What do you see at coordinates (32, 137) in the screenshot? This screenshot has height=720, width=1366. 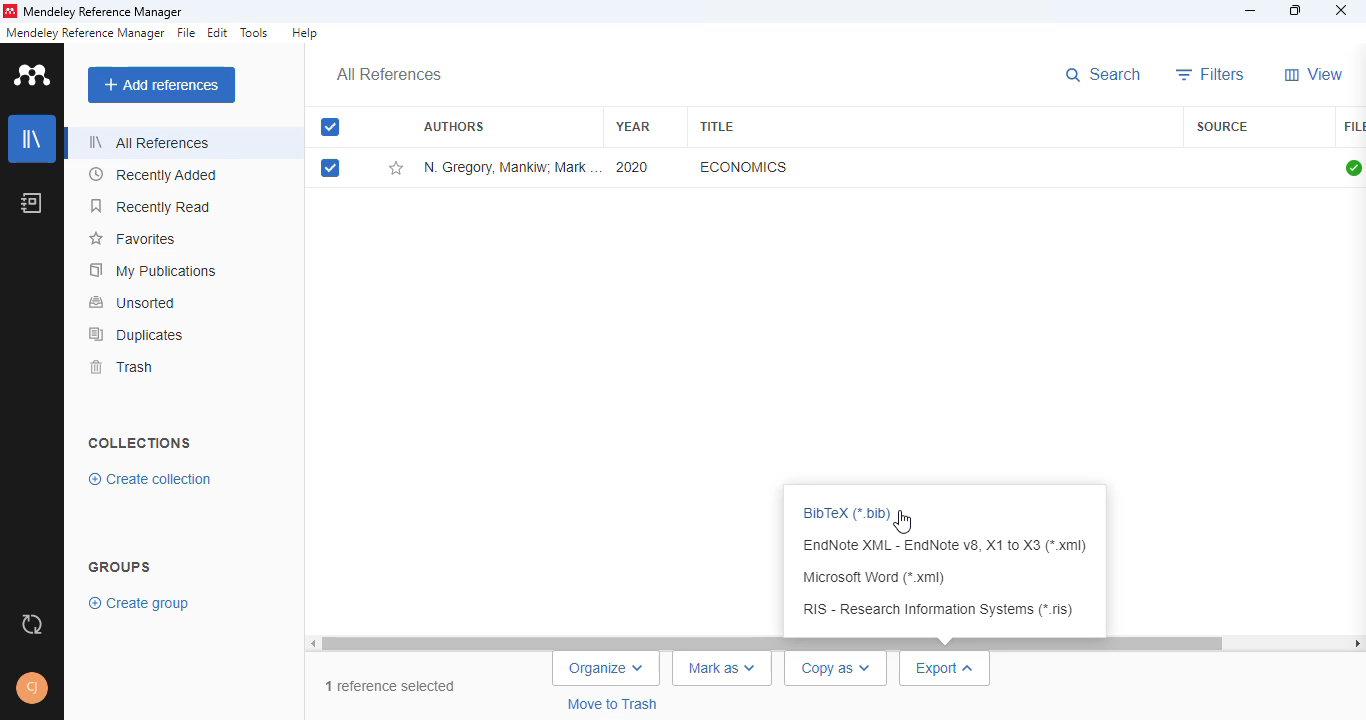 I see `library` at bounding box center [32, 137].